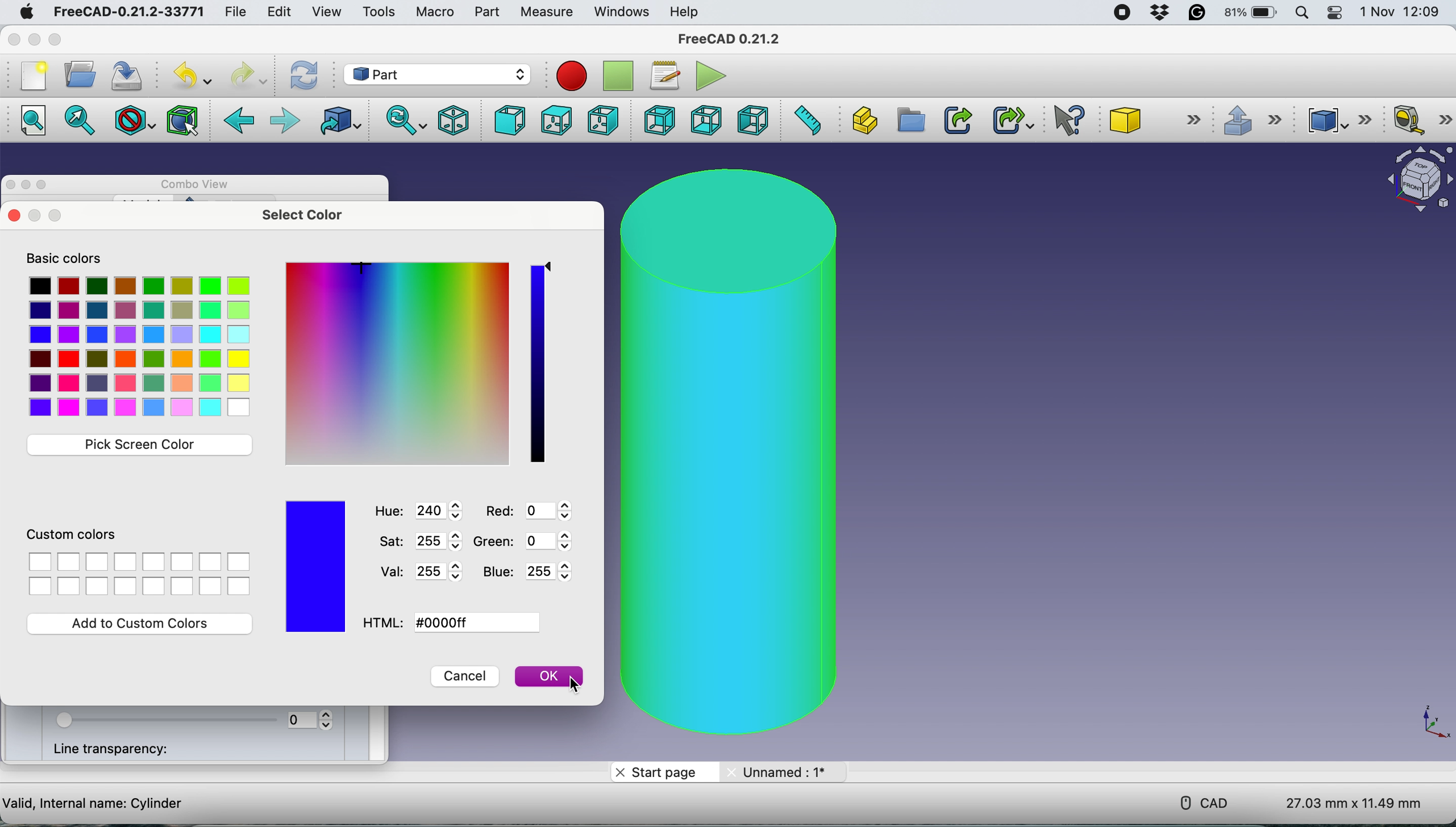 The height and width of the screenshot is (827, 1456). Describe the element at coordinates (1155, 118) in the screenshot. I see `cube` at that location.